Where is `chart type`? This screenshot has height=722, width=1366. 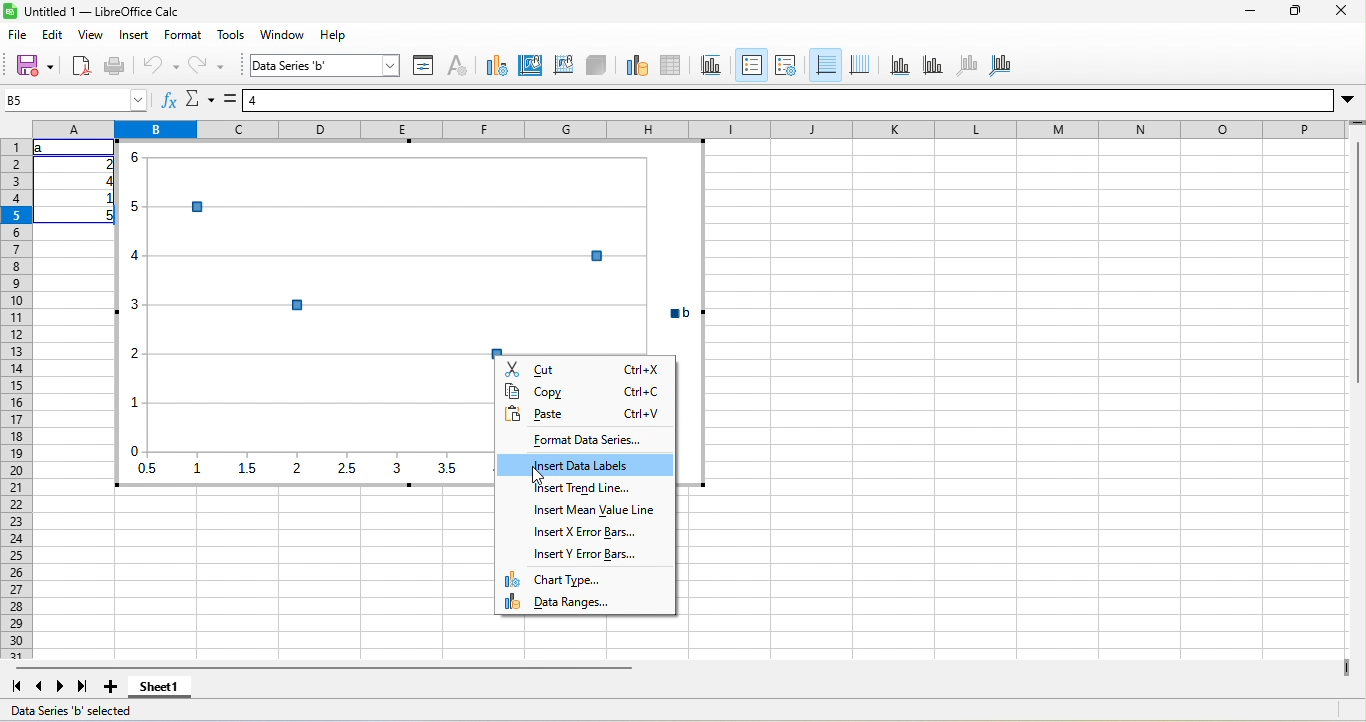 chart type is located at coordinates (584, 579).